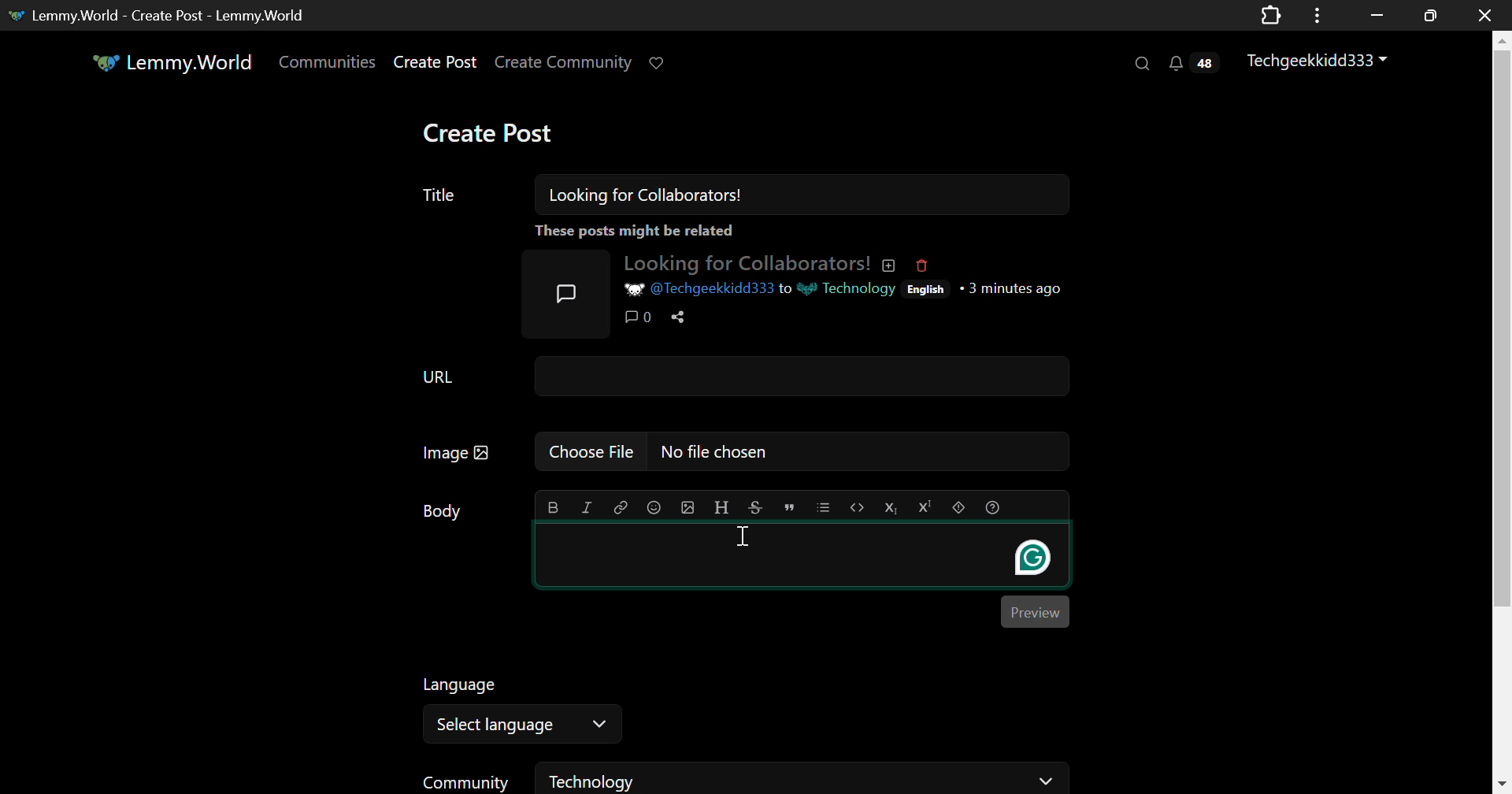  I want to click on 3 minutes ago, so click(1017, 288).